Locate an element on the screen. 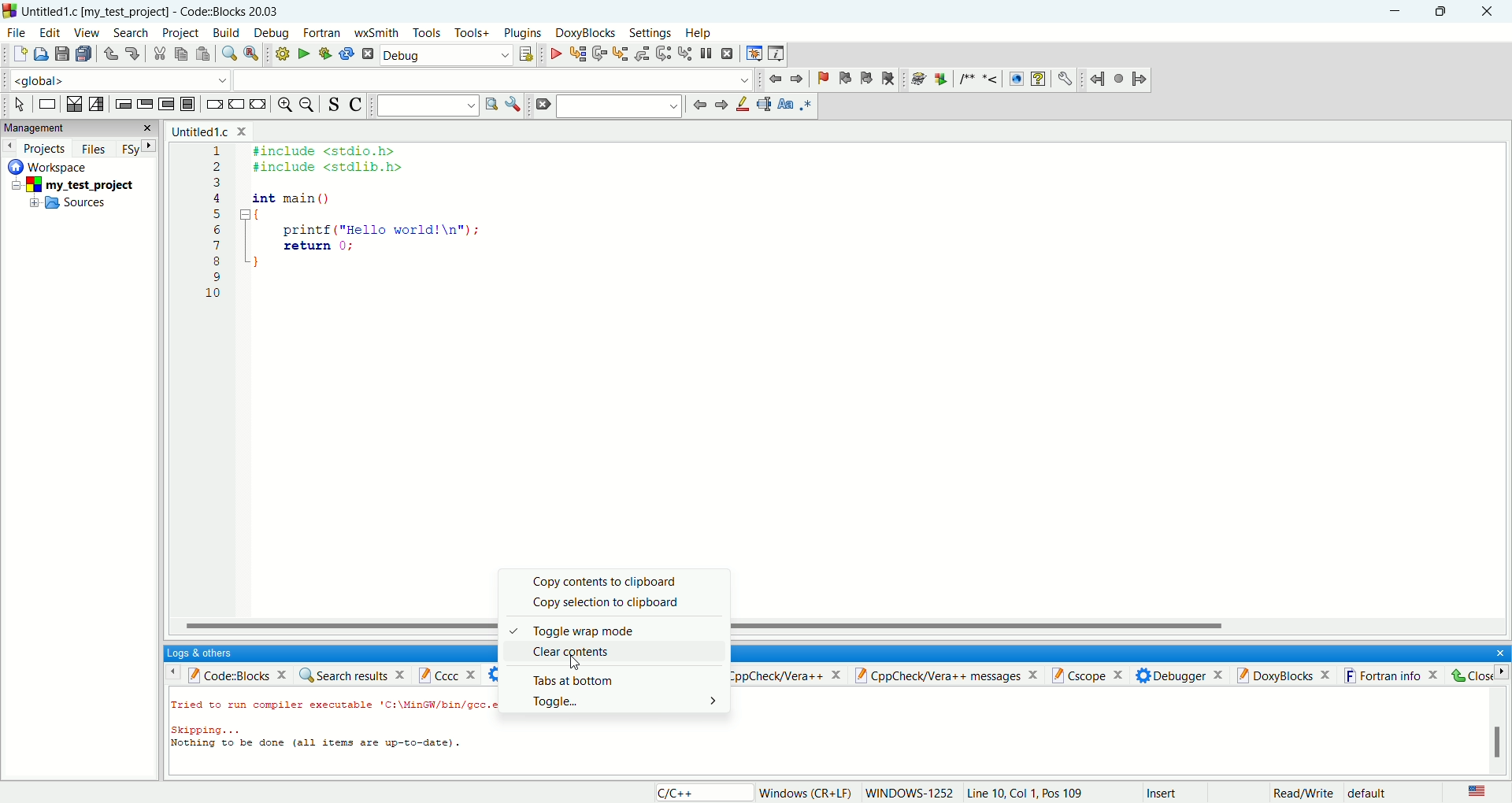 This screenshot has width=1512, height=803. elect target dialog is located at coordinates (525, 54).